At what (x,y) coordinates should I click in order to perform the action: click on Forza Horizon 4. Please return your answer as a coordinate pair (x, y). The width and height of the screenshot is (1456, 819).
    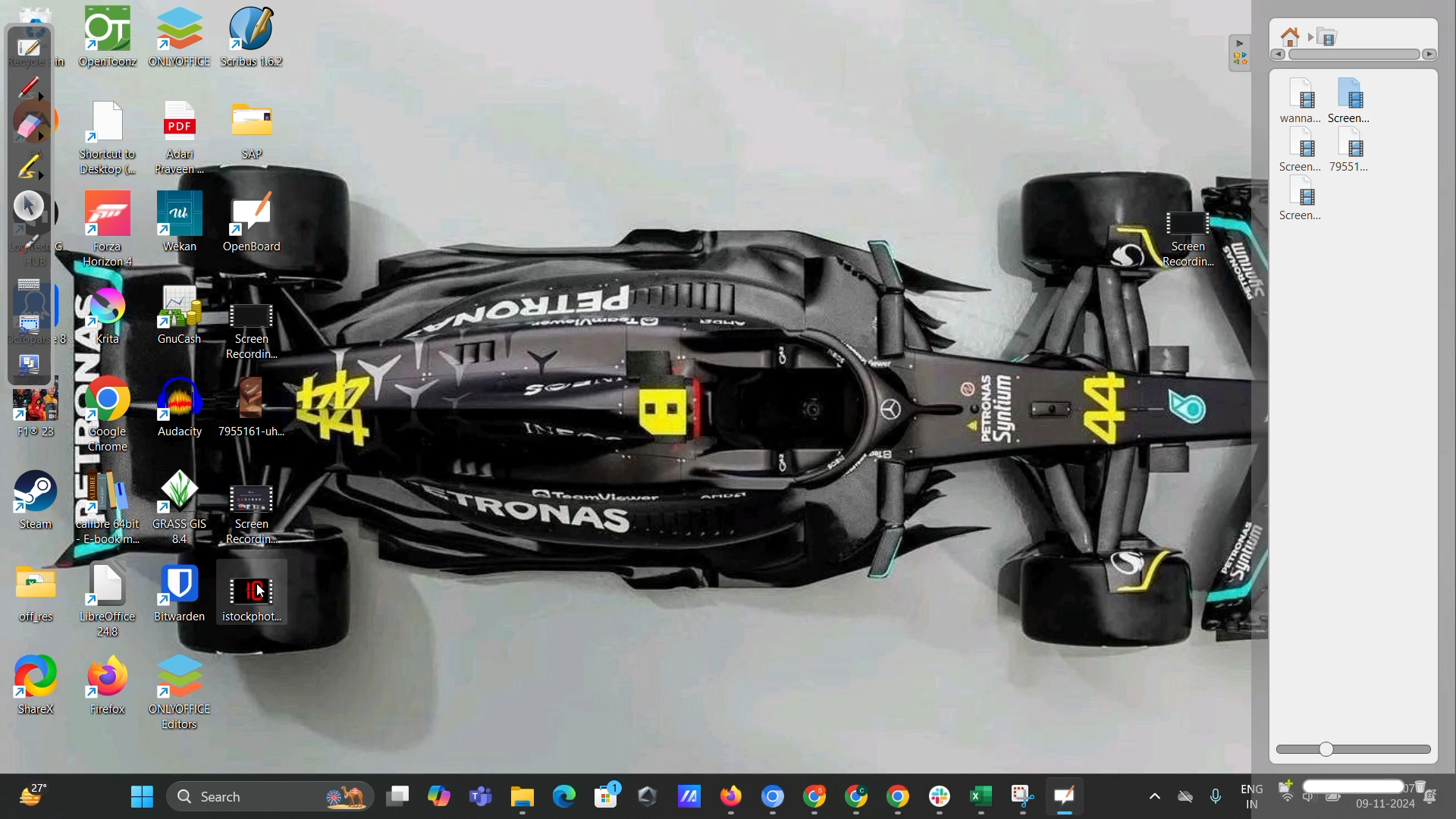
    Looking at the image, I should click on (109, 229).